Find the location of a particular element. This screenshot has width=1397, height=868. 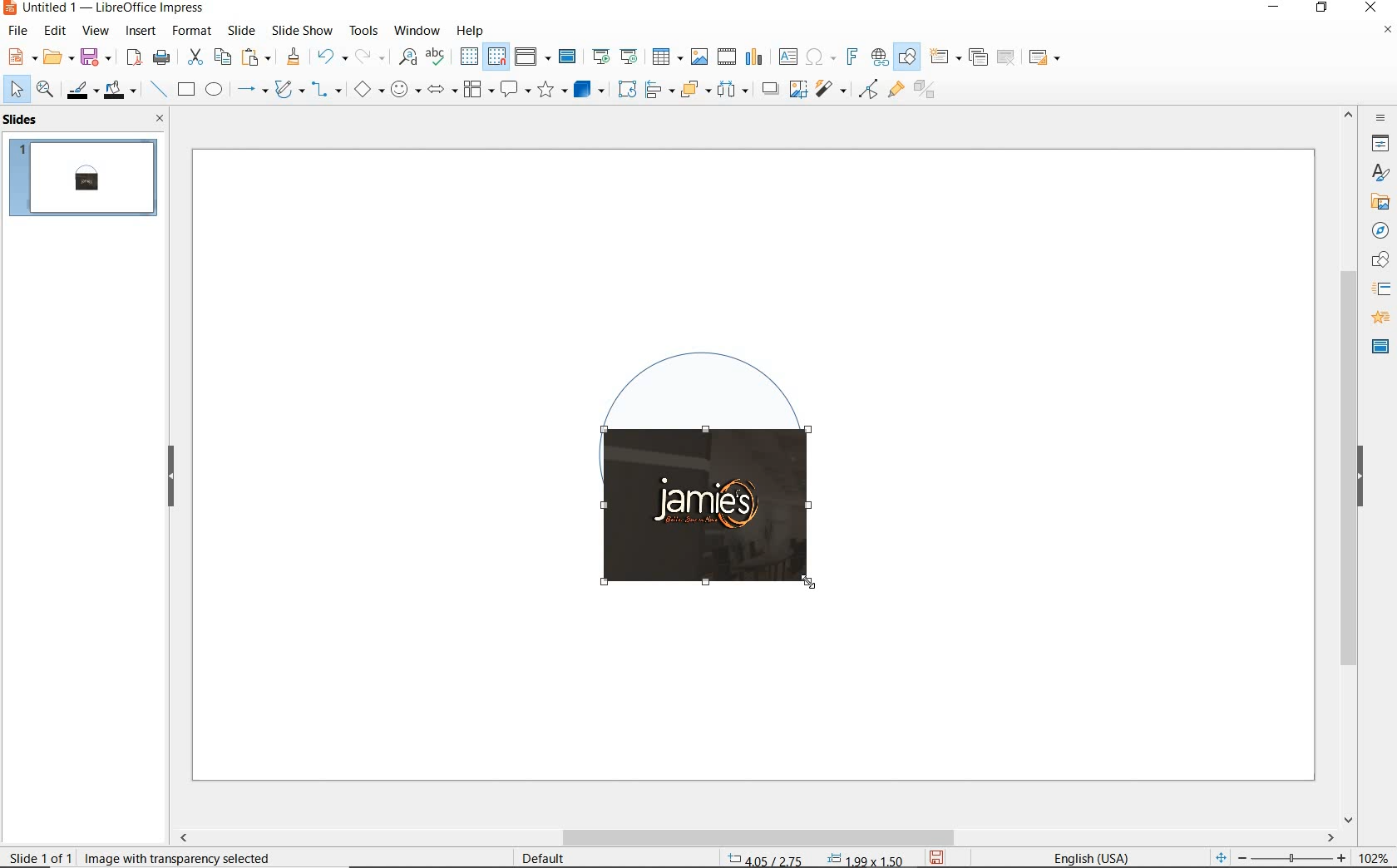

file is located at coordinates (19, 31).